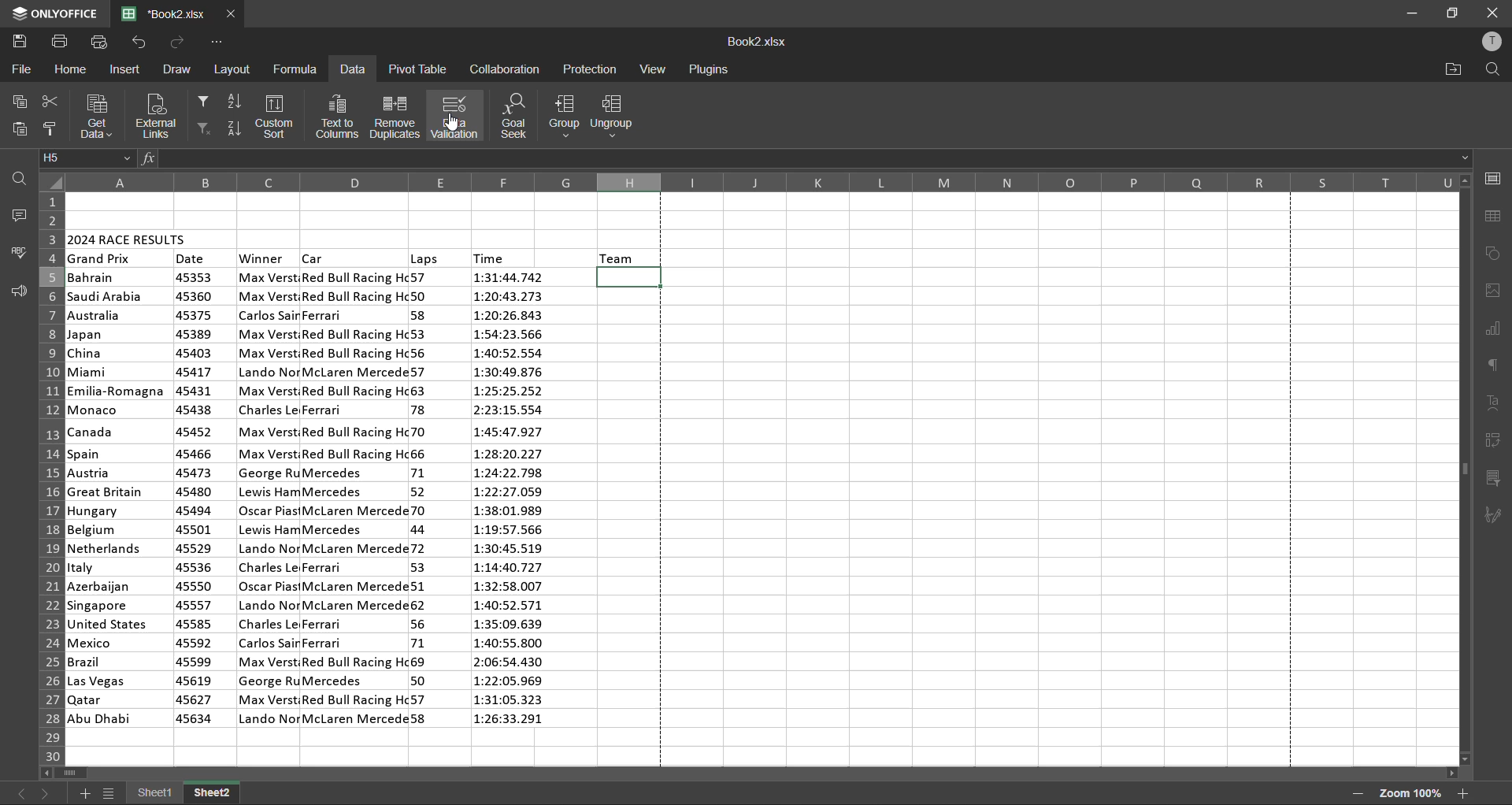  Describe the element at coordinates (191, 258) in the screenshot. I see `date` at that location.